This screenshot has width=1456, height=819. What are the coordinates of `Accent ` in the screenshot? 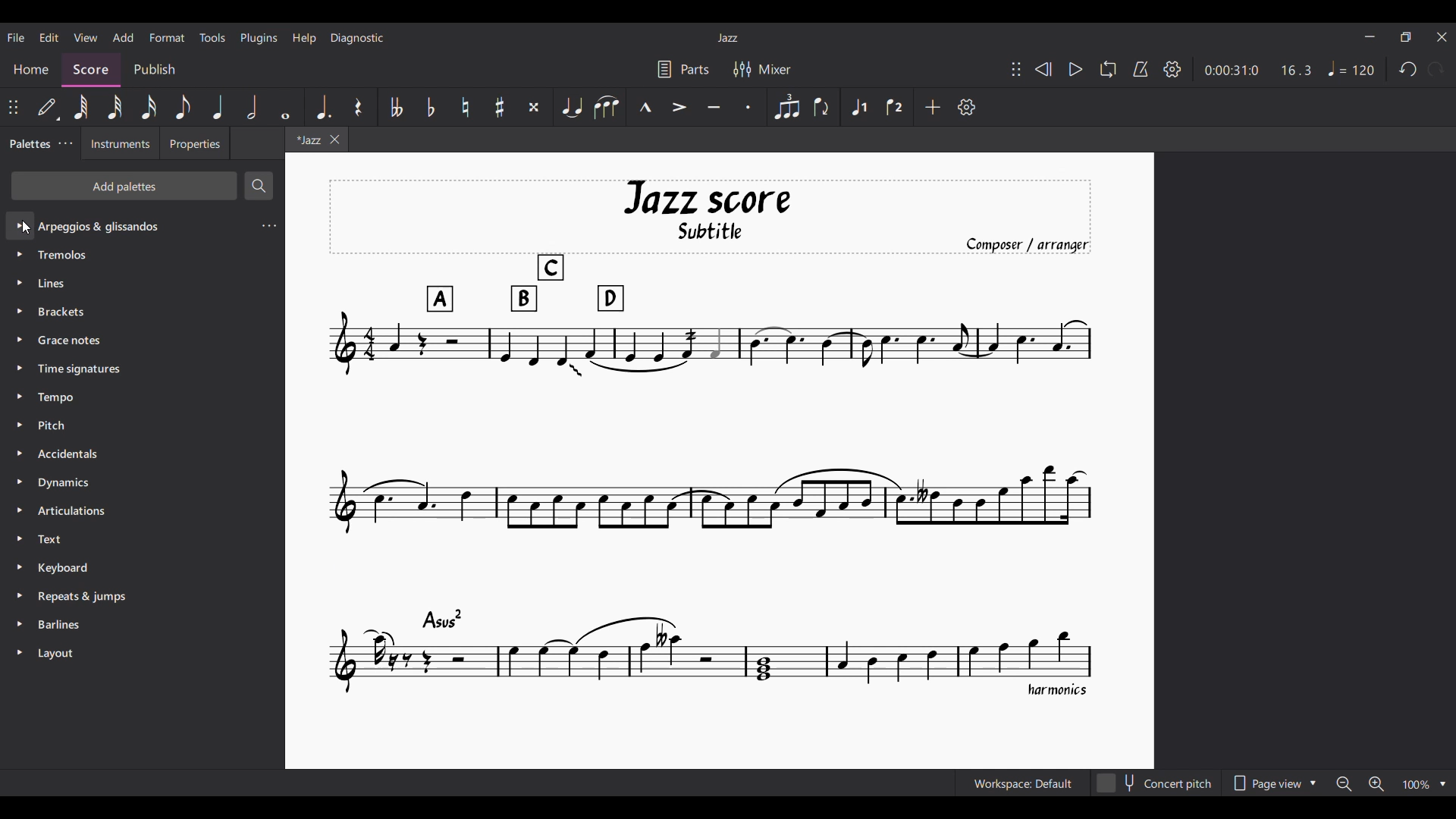 It's located at (679, 107).